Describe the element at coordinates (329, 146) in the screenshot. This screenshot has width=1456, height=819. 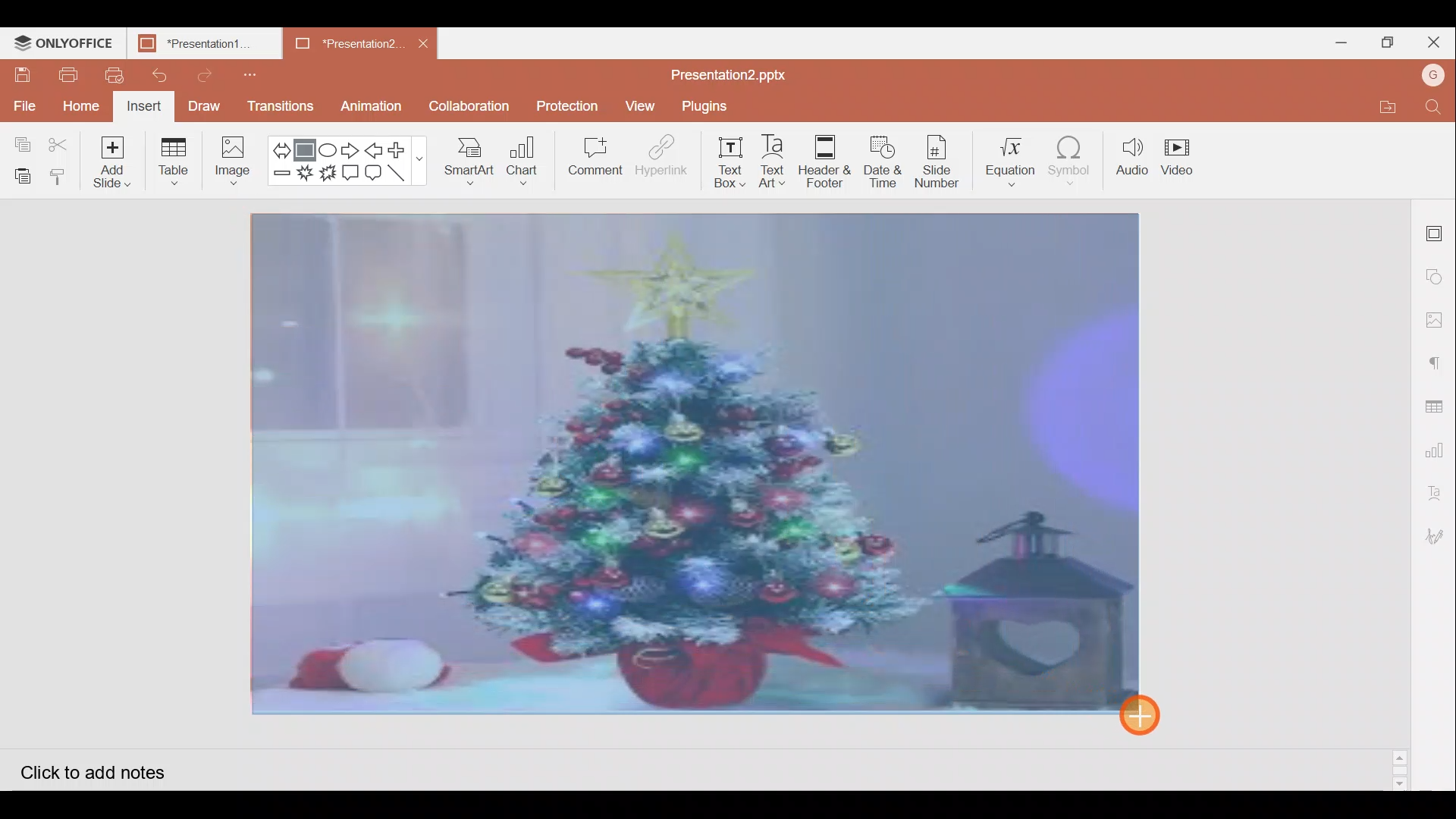
I see `Ellipse` at that location.